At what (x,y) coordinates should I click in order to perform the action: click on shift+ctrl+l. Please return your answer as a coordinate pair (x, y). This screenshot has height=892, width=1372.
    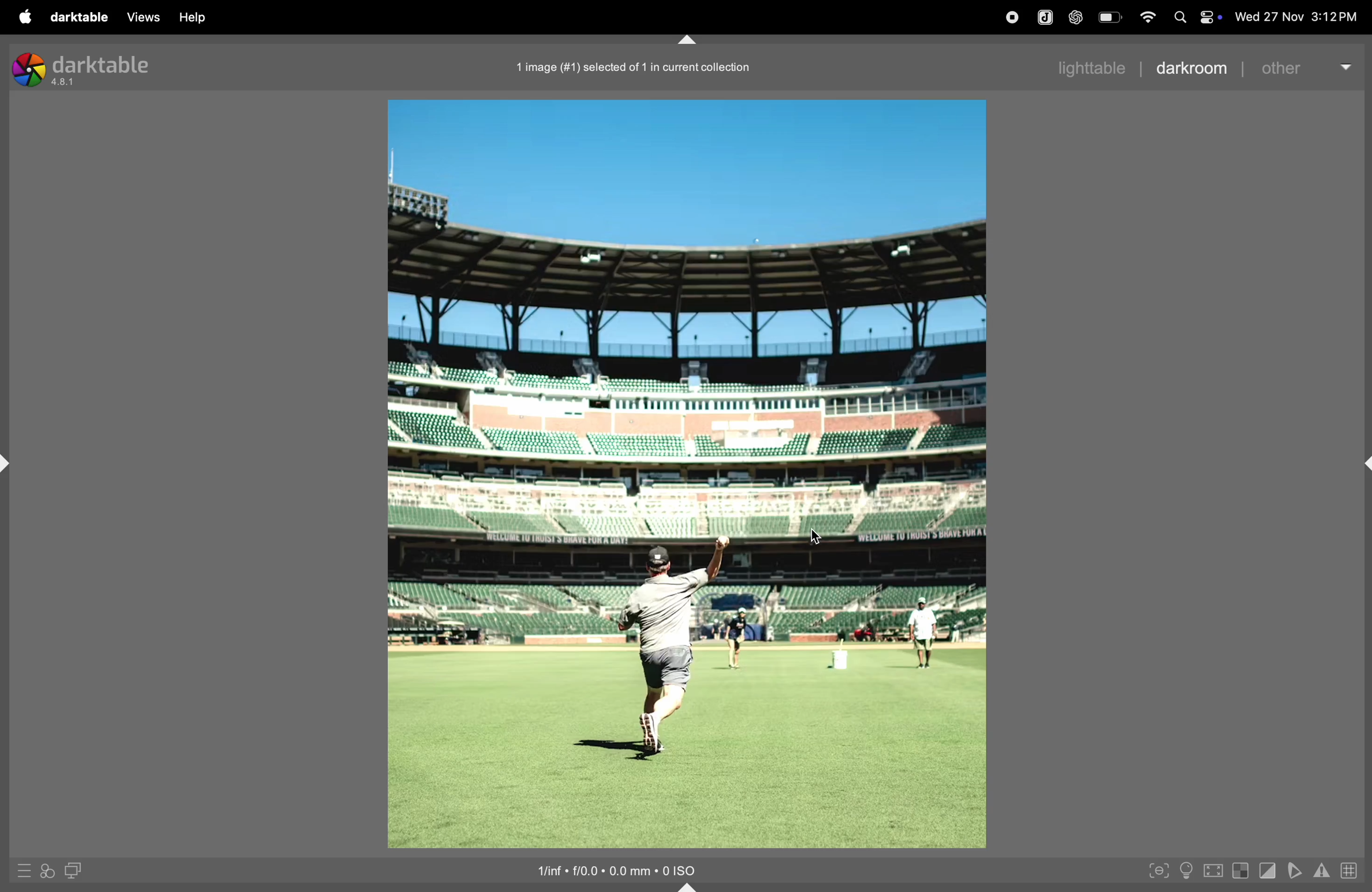
    Looking at the image, I should click on (9, 464).